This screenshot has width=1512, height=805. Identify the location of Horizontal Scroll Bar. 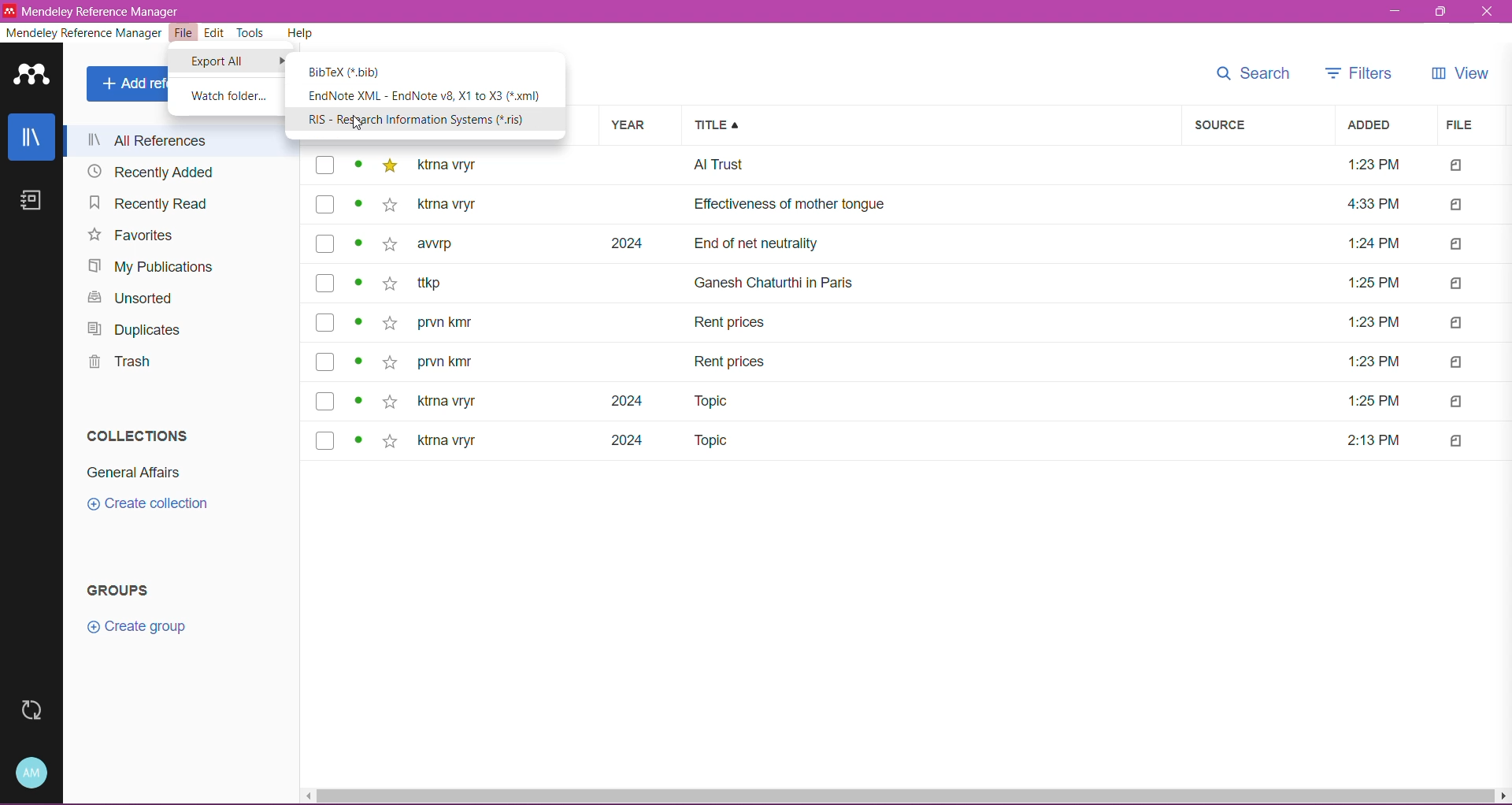
(906, 796).